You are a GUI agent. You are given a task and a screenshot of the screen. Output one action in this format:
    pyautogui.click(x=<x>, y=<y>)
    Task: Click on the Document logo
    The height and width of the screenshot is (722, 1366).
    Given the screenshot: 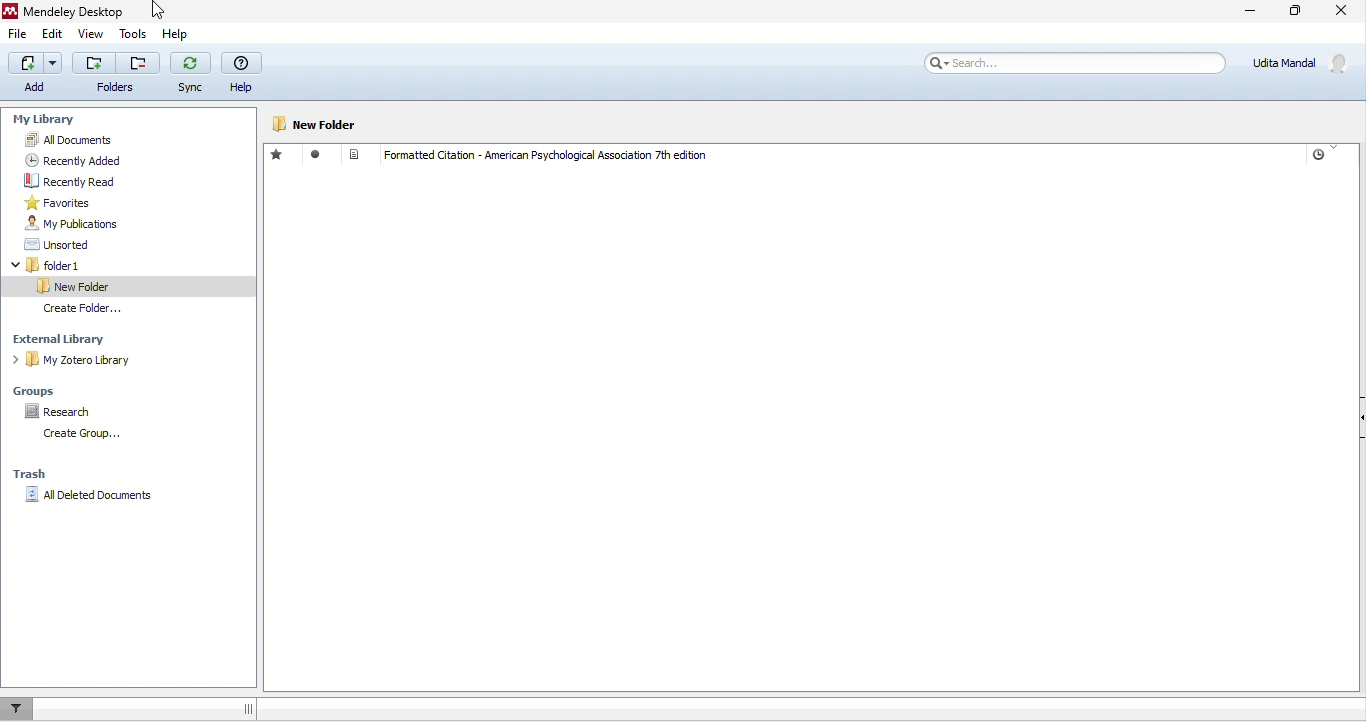 What is the action you would take?
    pyautogui.click(x=354, y=154)
    